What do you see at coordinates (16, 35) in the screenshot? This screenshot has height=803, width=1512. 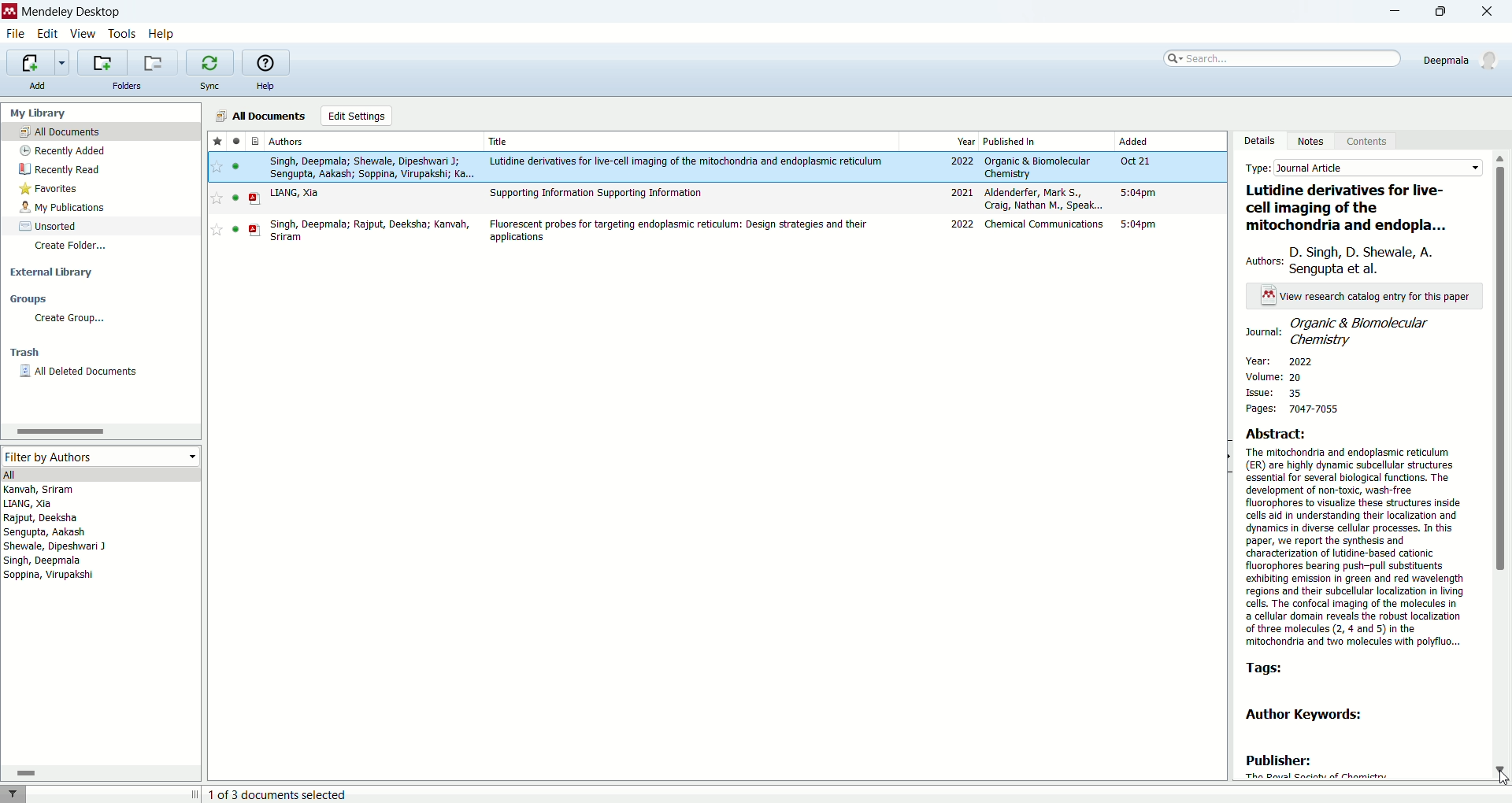 I see `file` at bounding box center [16, 35].